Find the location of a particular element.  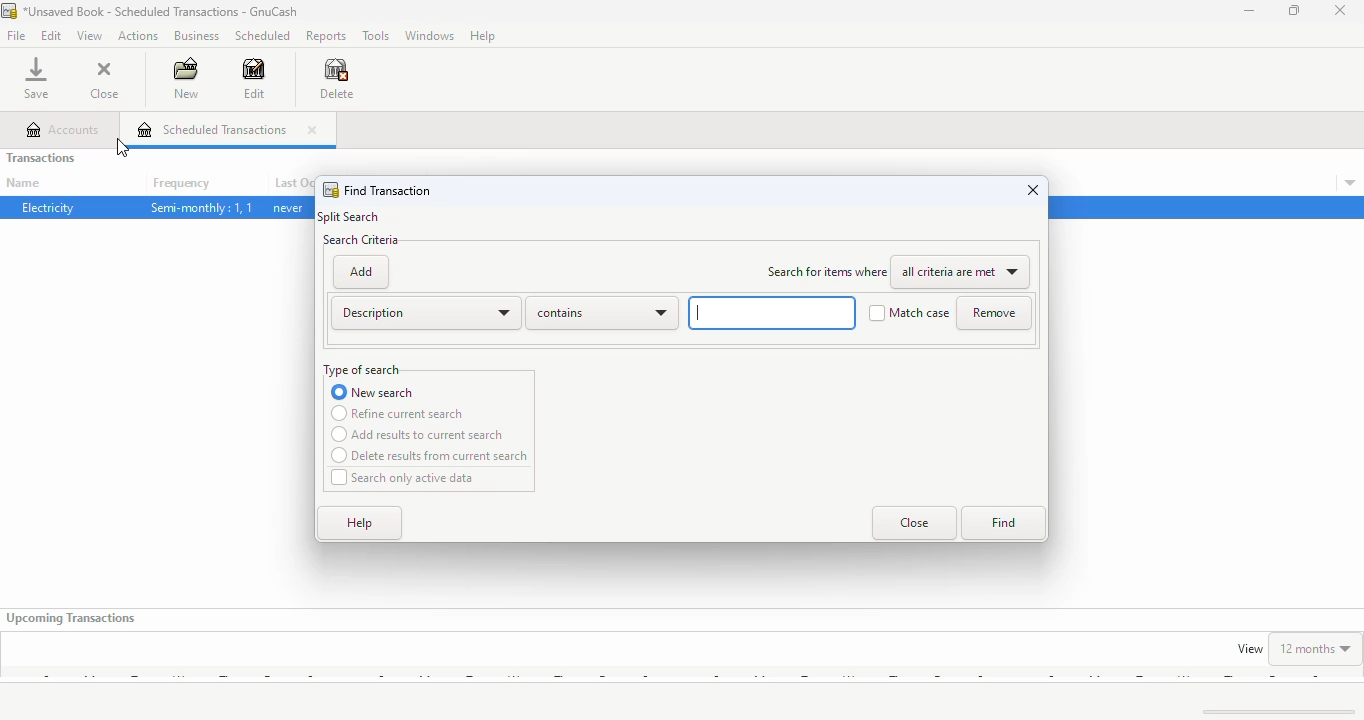

transactions is located at coordinates (41, 157).